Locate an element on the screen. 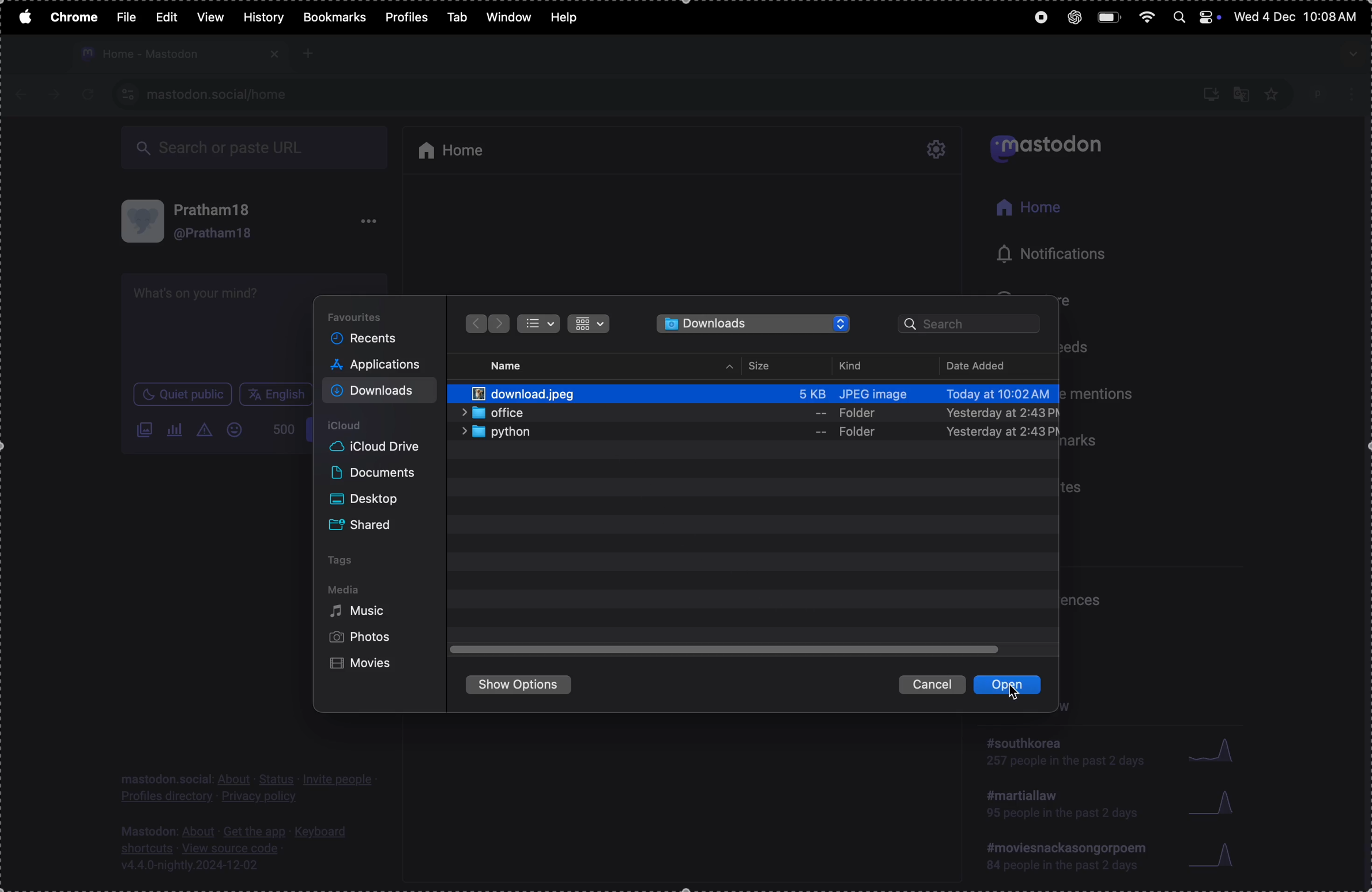 The image size is (1372, 892).  is located at coordinates (500, 324).